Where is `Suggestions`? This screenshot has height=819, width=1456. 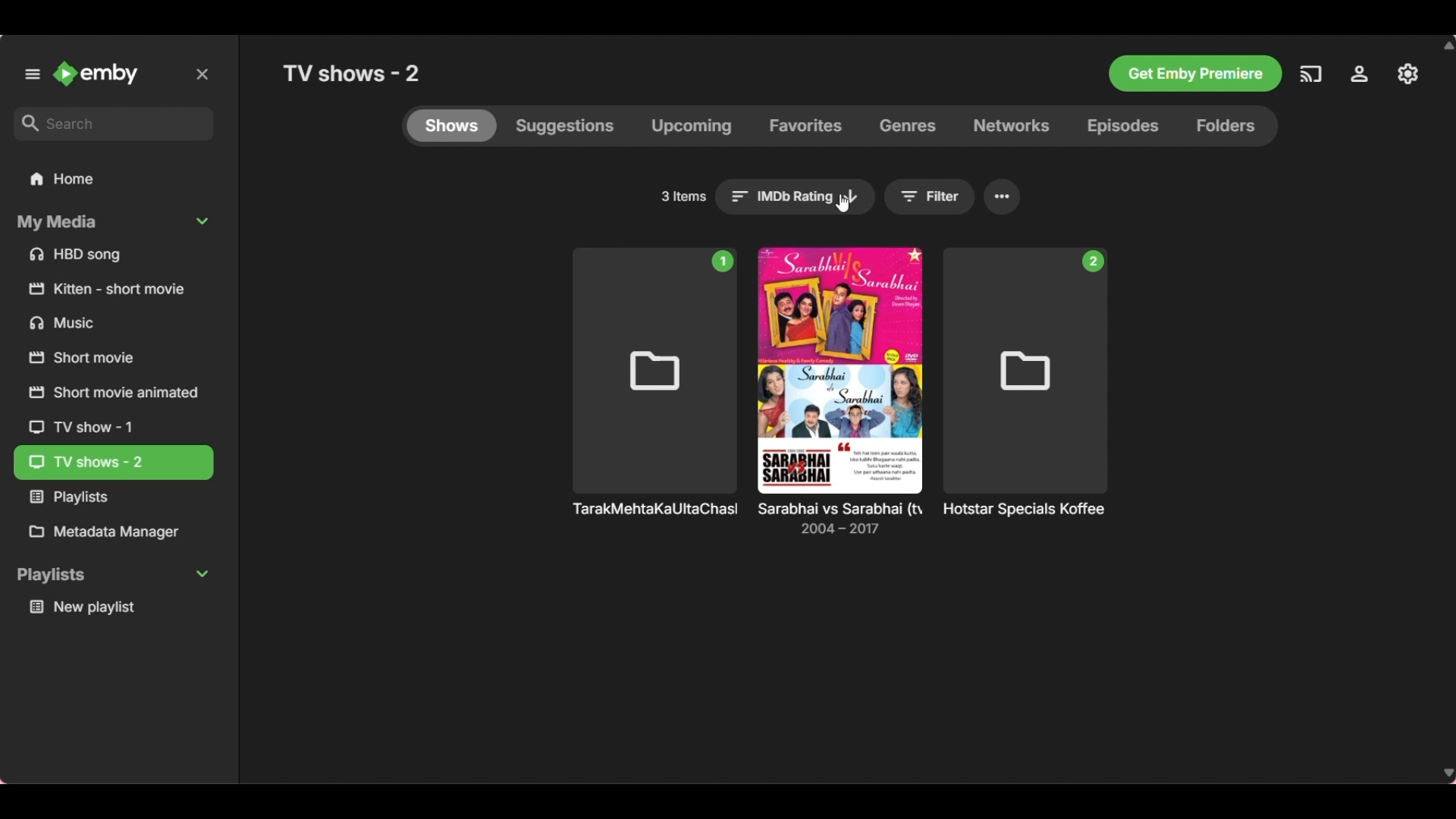
Suggestions is located at coordinates (566, 126).